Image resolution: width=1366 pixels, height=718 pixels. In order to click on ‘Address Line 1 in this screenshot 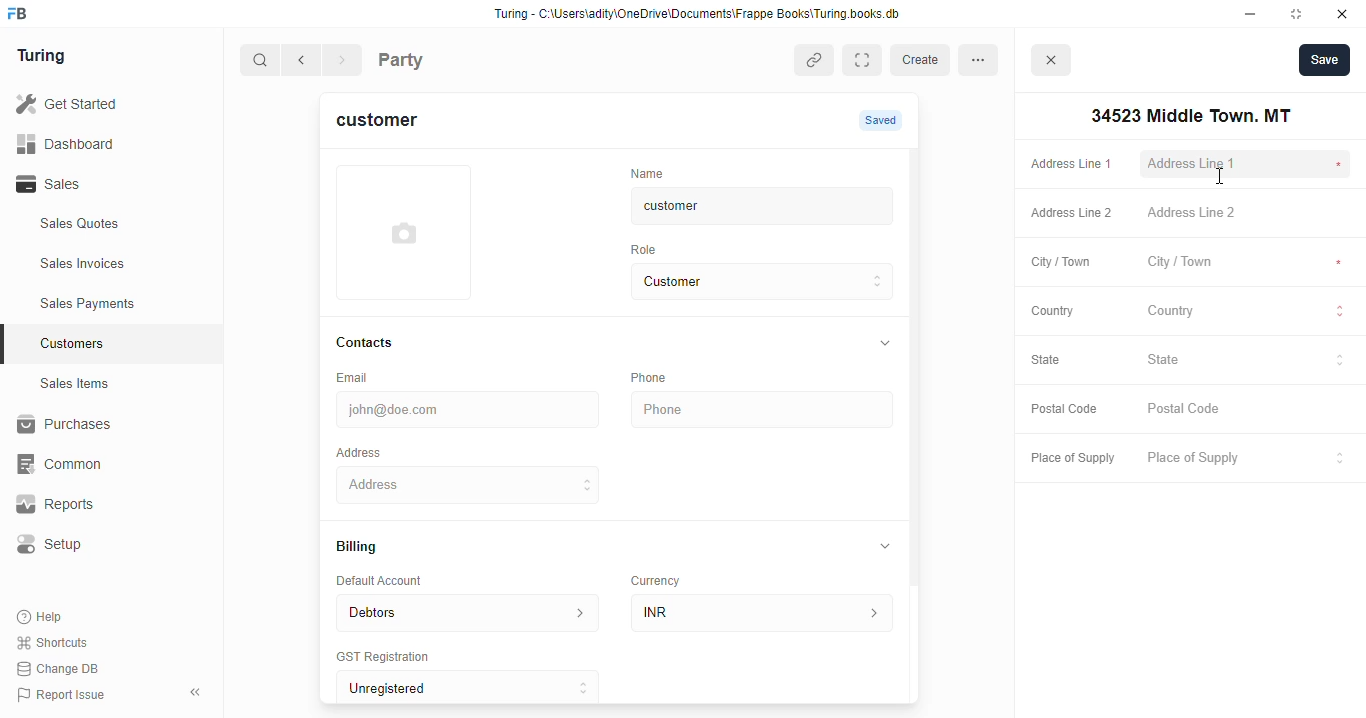, I will do `click(1248, 165)`.